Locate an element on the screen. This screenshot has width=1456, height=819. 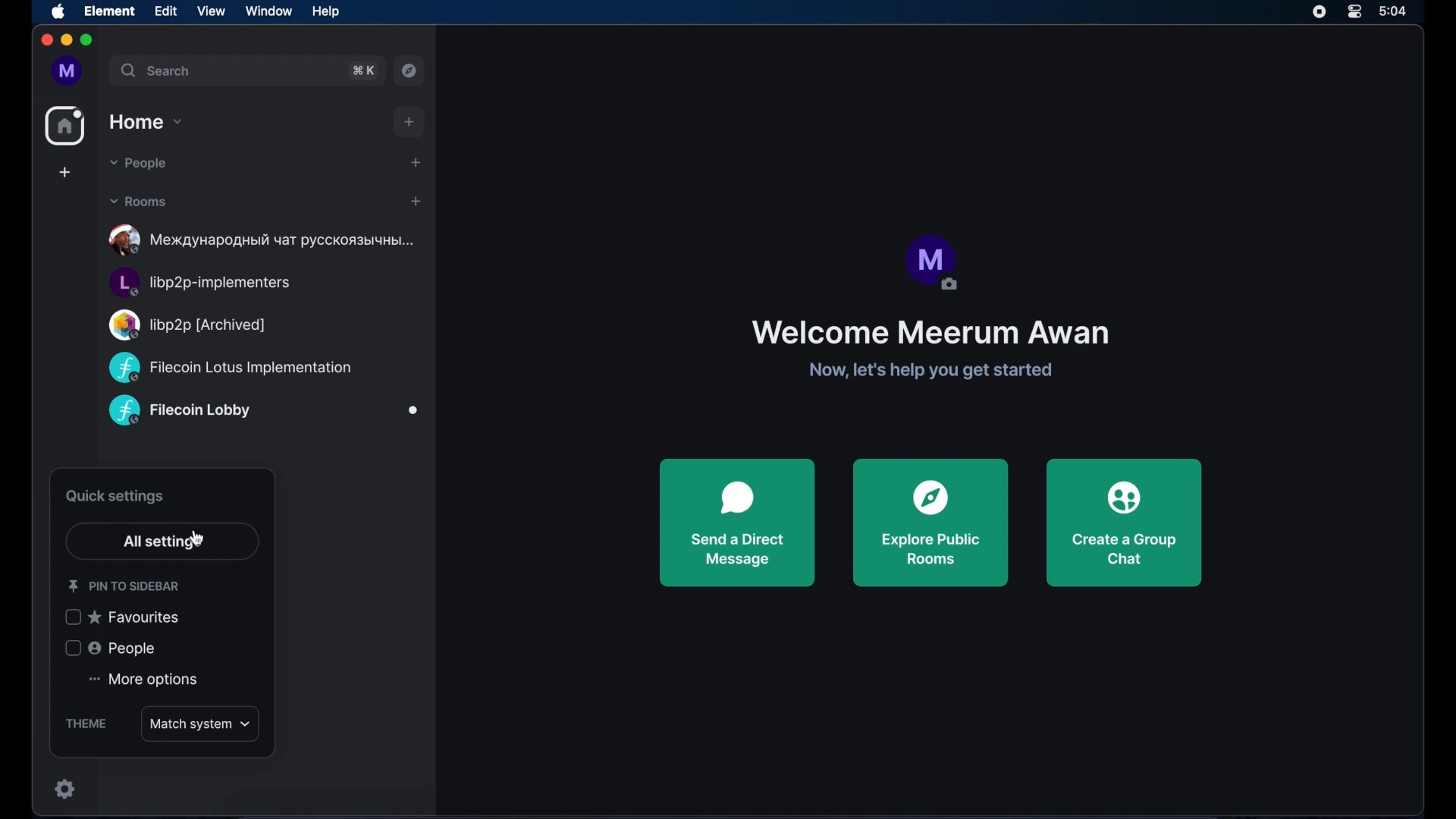
pin to sidebar is located at coordinates (124, 586).